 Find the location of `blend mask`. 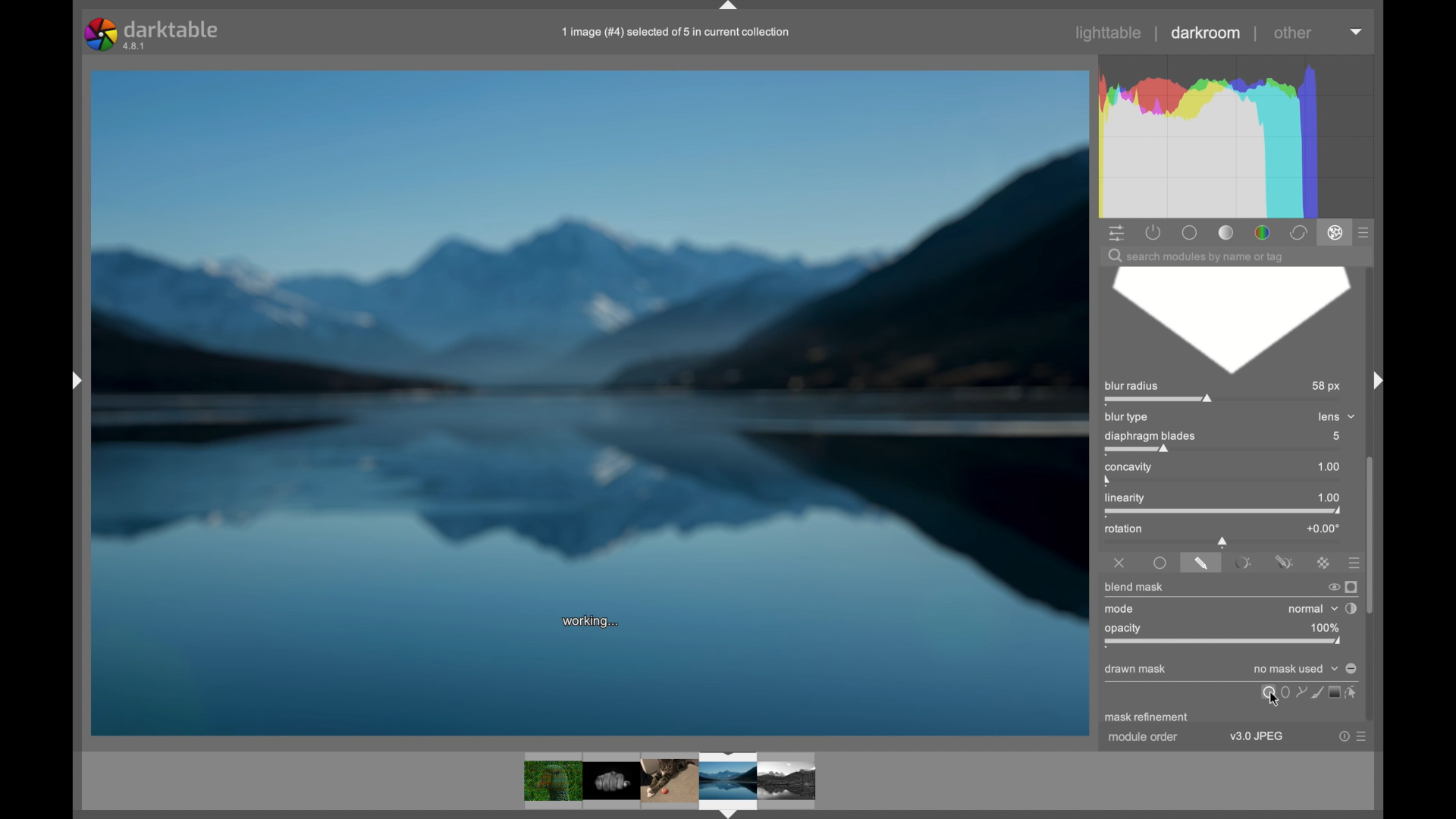

blend mask is located at coordinates (1136, 586).